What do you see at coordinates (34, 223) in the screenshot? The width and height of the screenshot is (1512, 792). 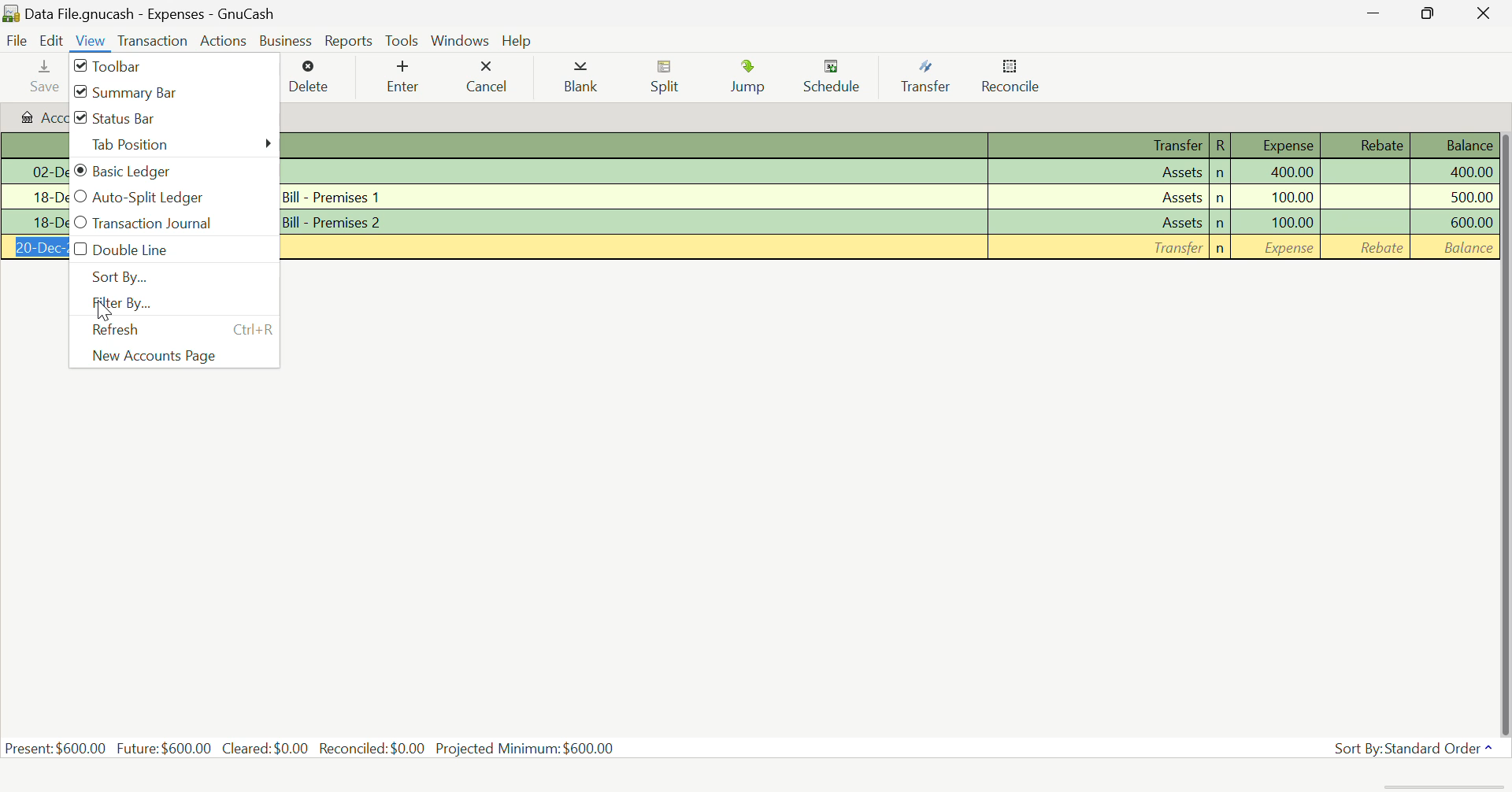 I see `Date` at bounding box center [34, 223].